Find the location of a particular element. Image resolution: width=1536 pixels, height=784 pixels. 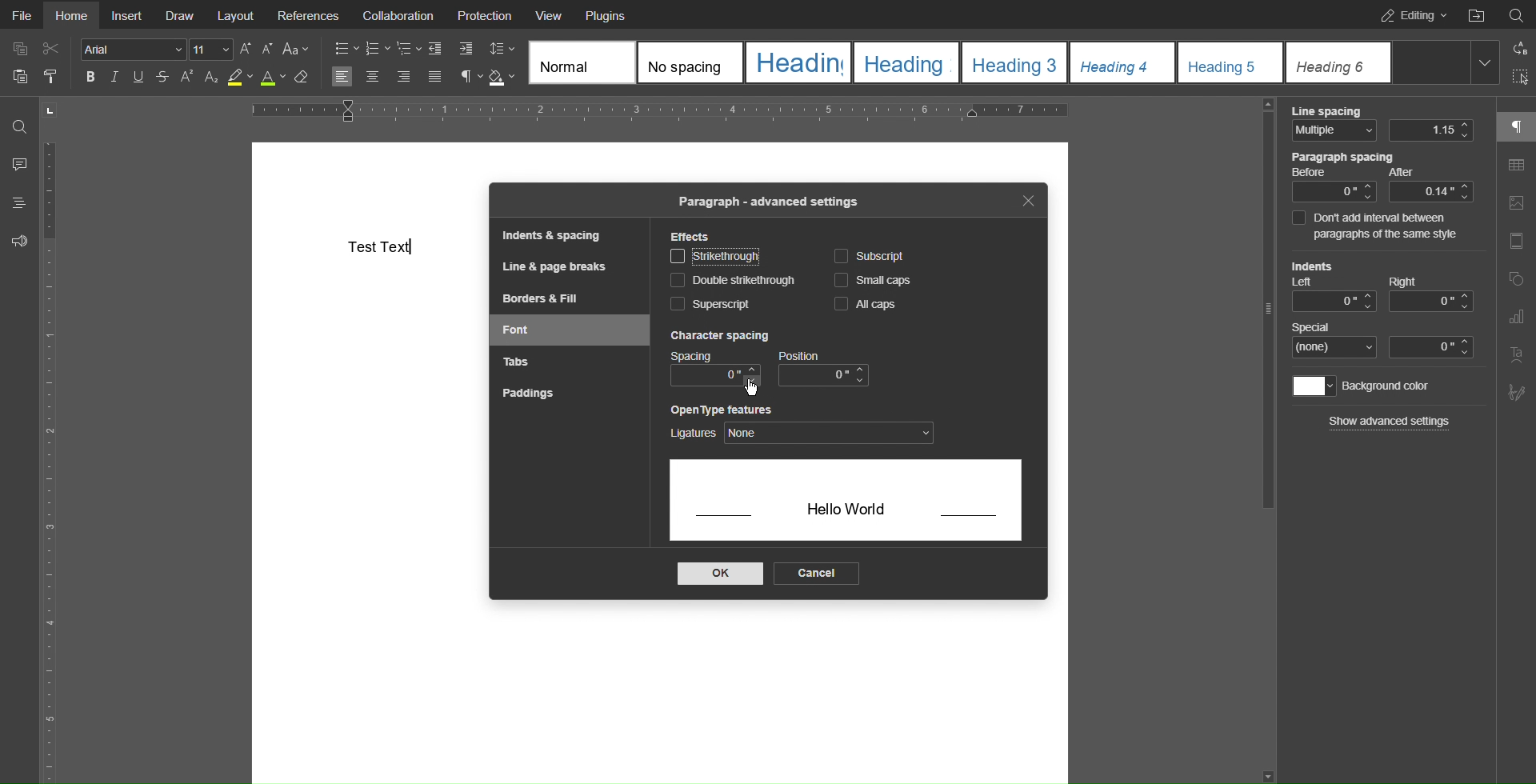

Highlight is located at coordinates (240, 78).